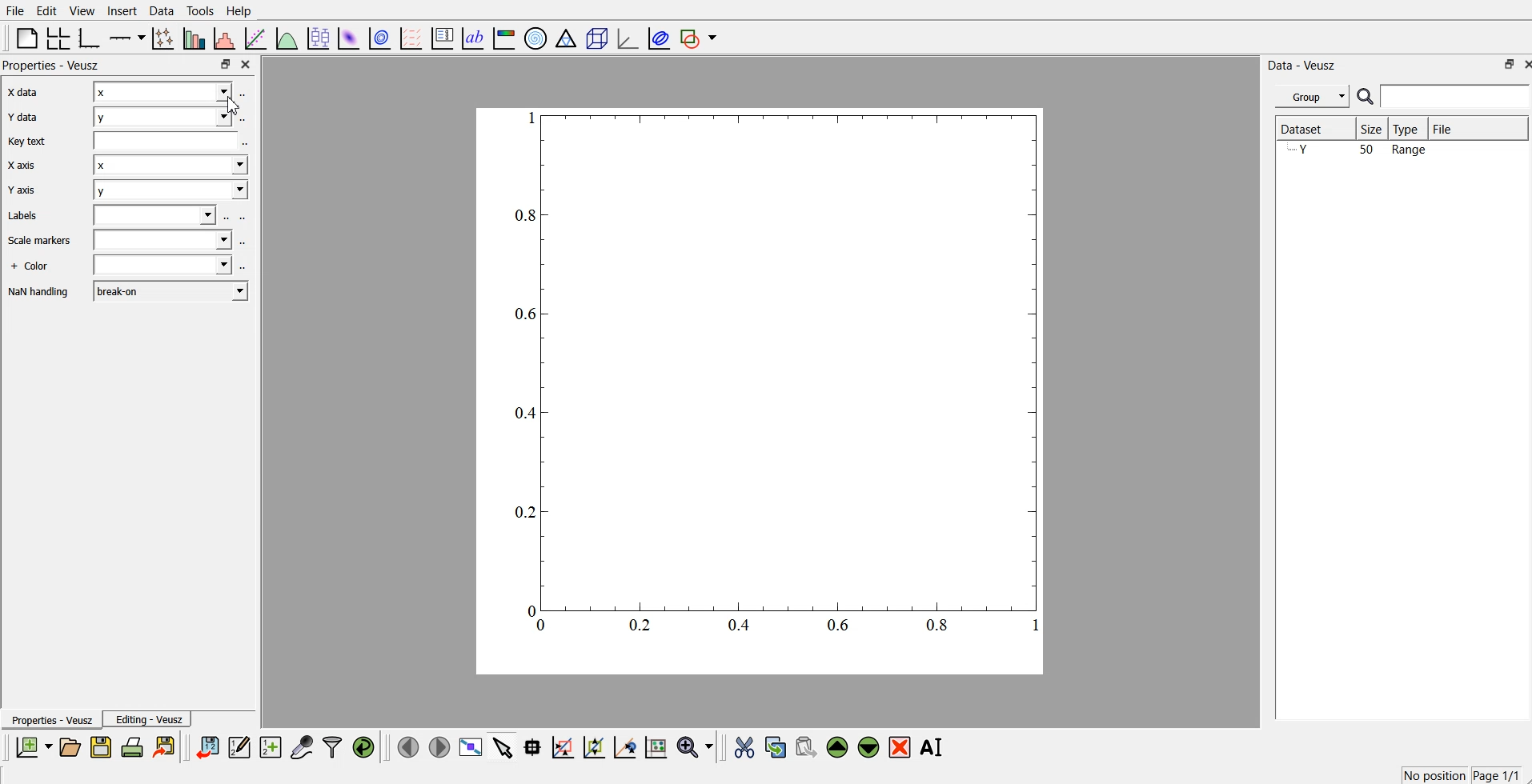 The image size is (1532, 784). I want to click on edit and enter datapoints, so click(240, 748).